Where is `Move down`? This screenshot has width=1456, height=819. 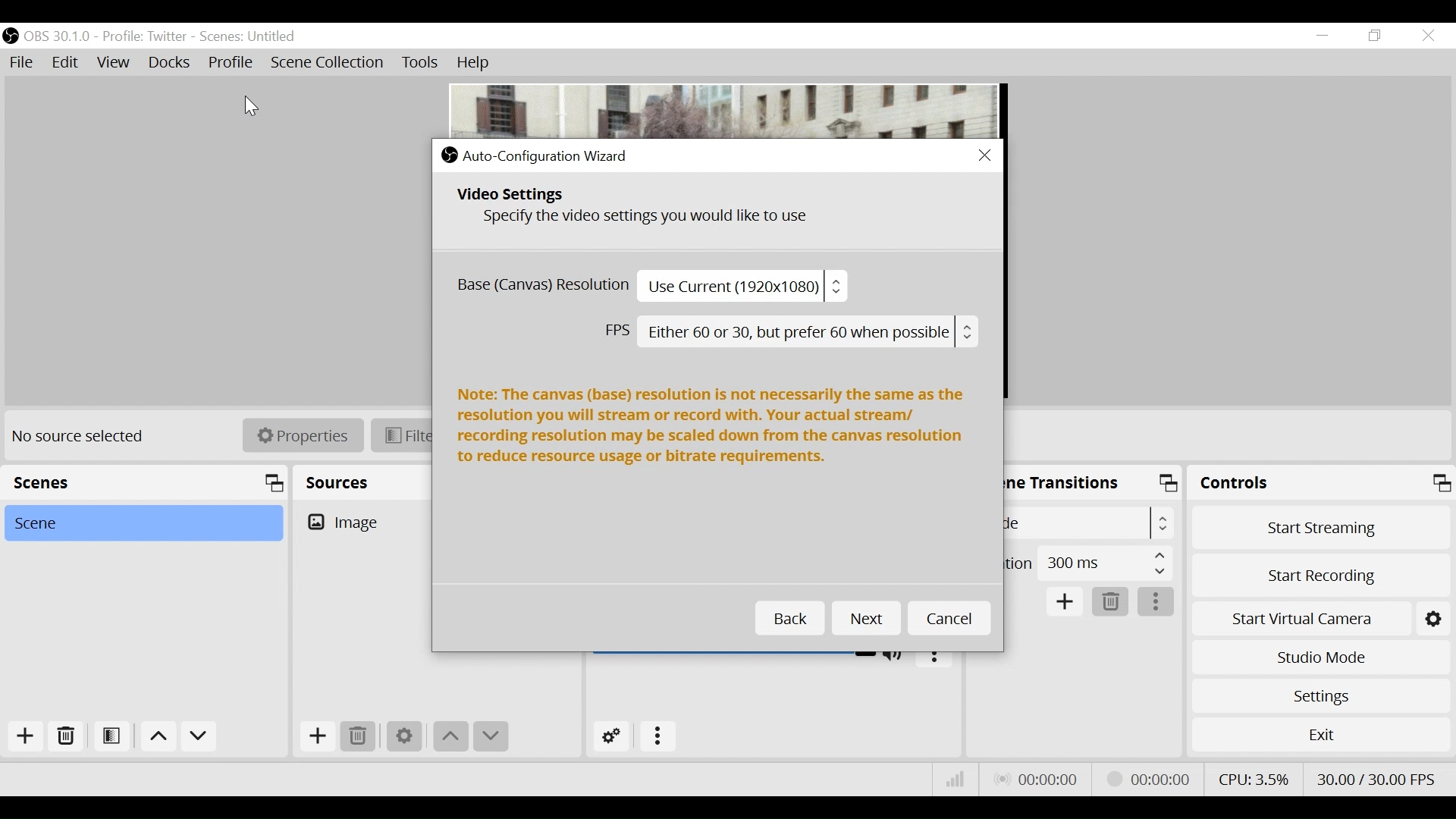
Move down is located at coordinates (491, 736).